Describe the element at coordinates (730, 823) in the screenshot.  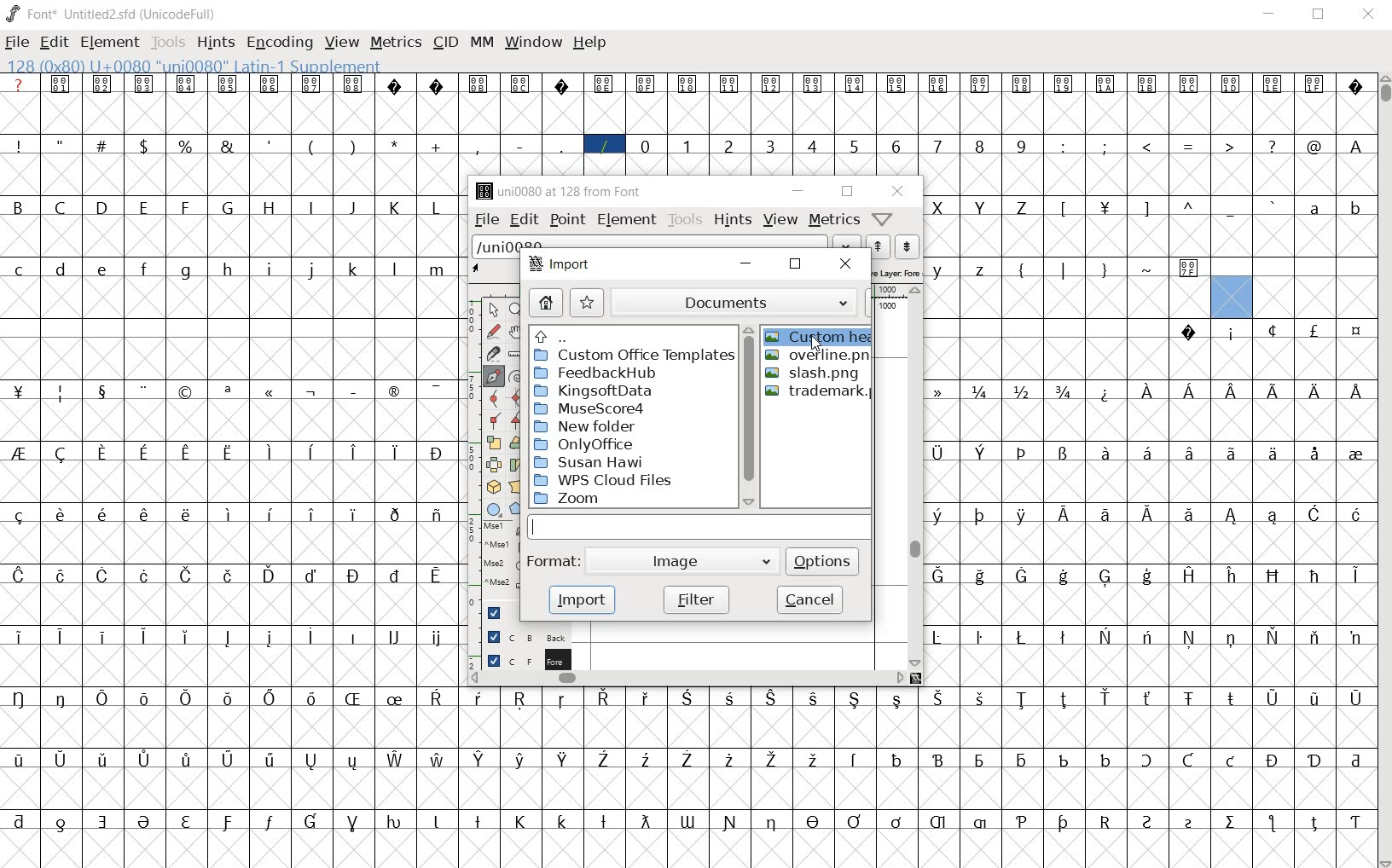
I see `glyph` at that location.